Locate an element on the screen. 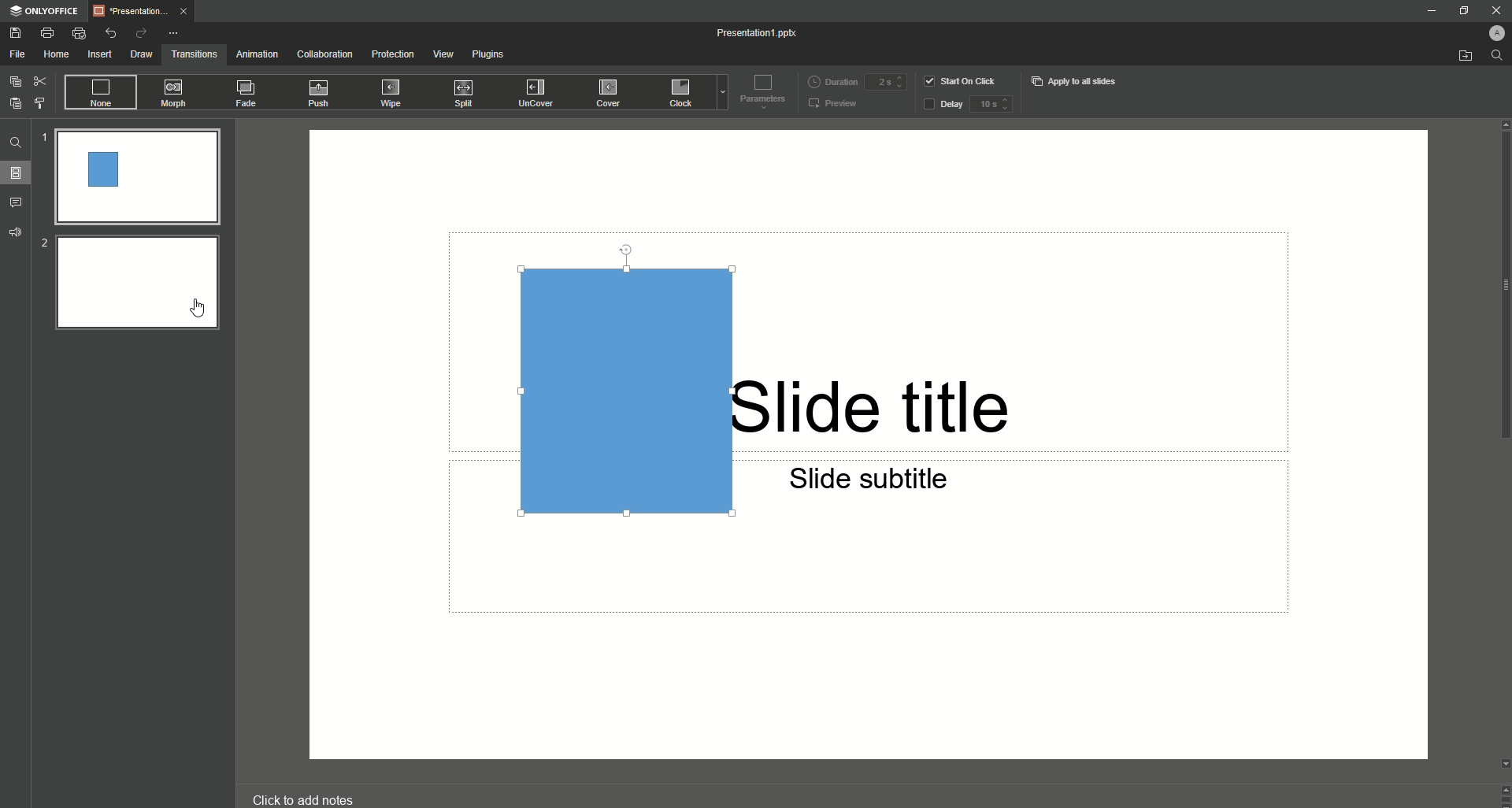 The width and height of the screenshot is (1512, 808). Choose Style is located at coordinates (43, 103).